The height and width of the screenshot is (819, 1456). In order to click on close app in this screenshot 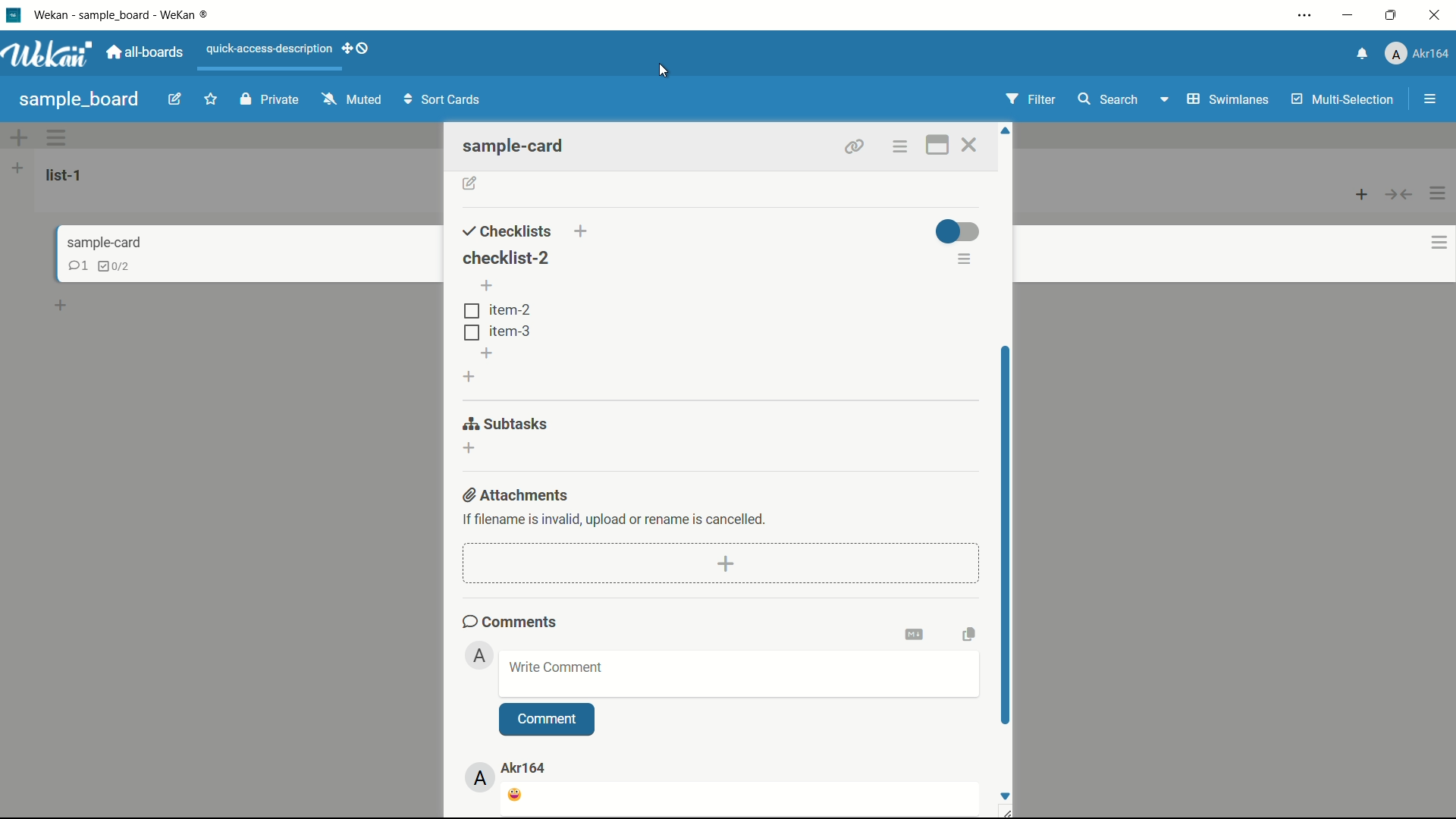, I will do `click(1436, 15)`.